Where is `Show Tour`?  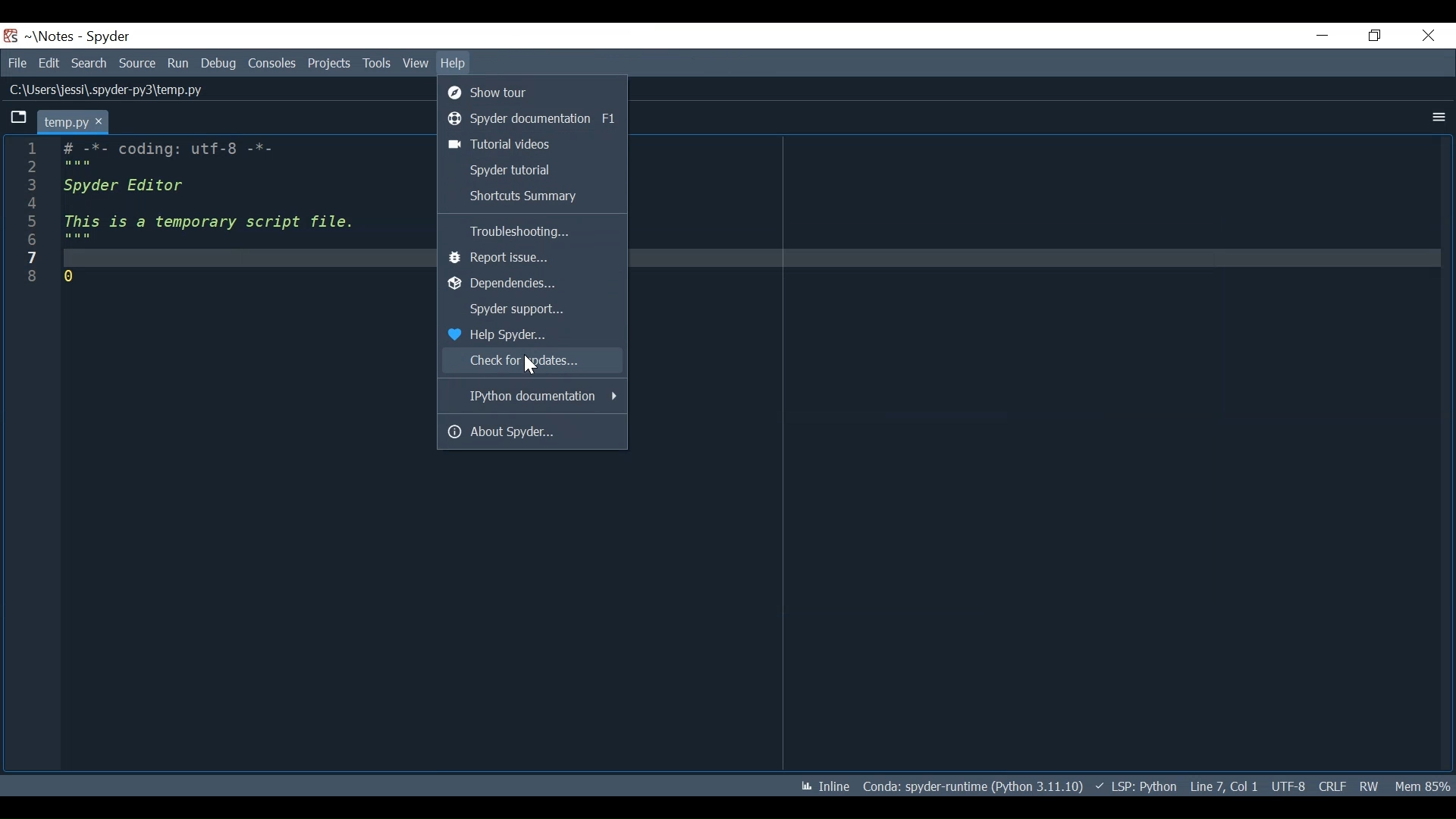
Show Tour is located at coordinates (531, 93).